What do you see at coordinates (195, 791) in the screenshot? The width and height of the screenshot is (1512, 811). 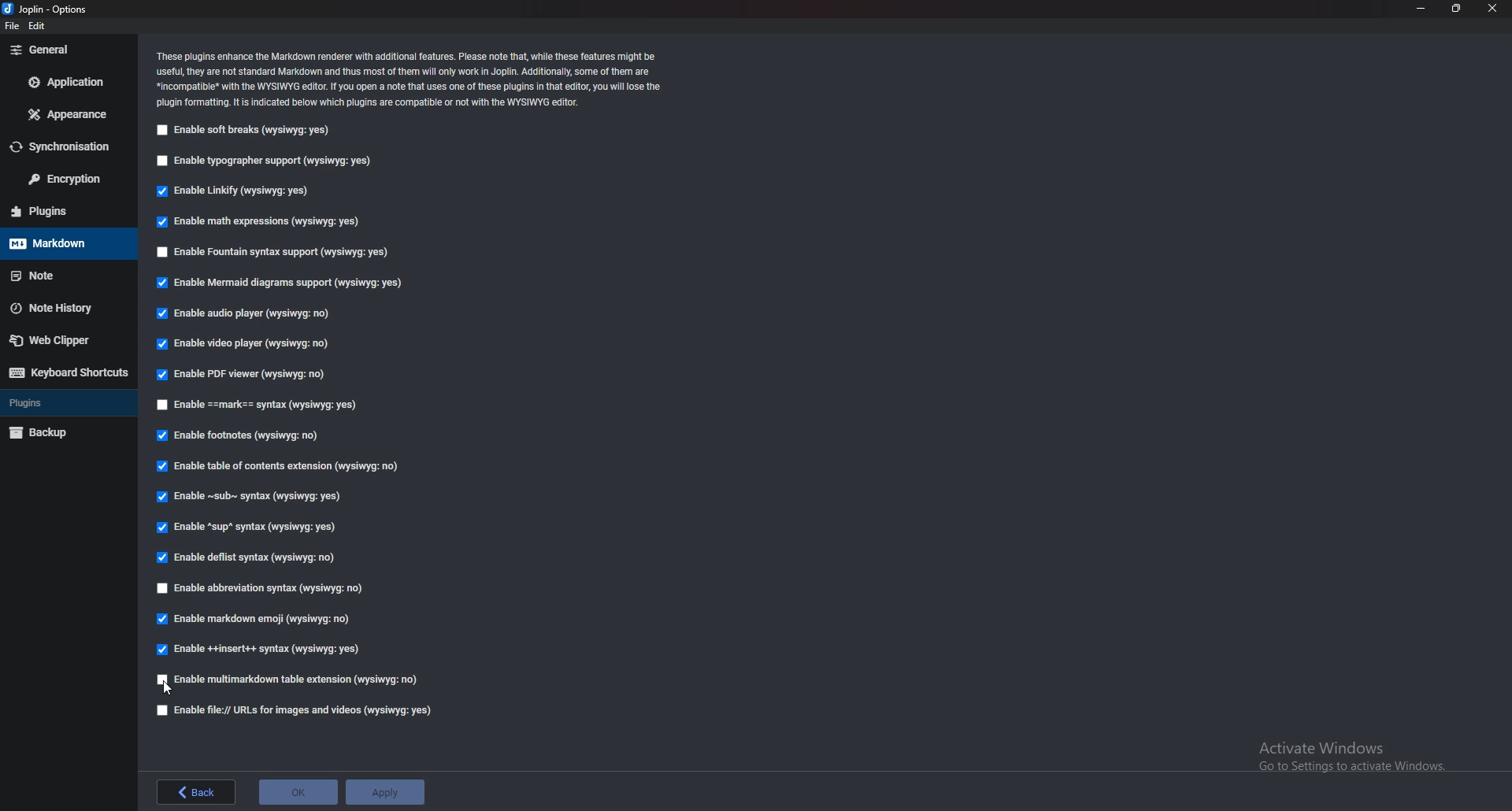 I see `back` at bounding box center [195, 791].